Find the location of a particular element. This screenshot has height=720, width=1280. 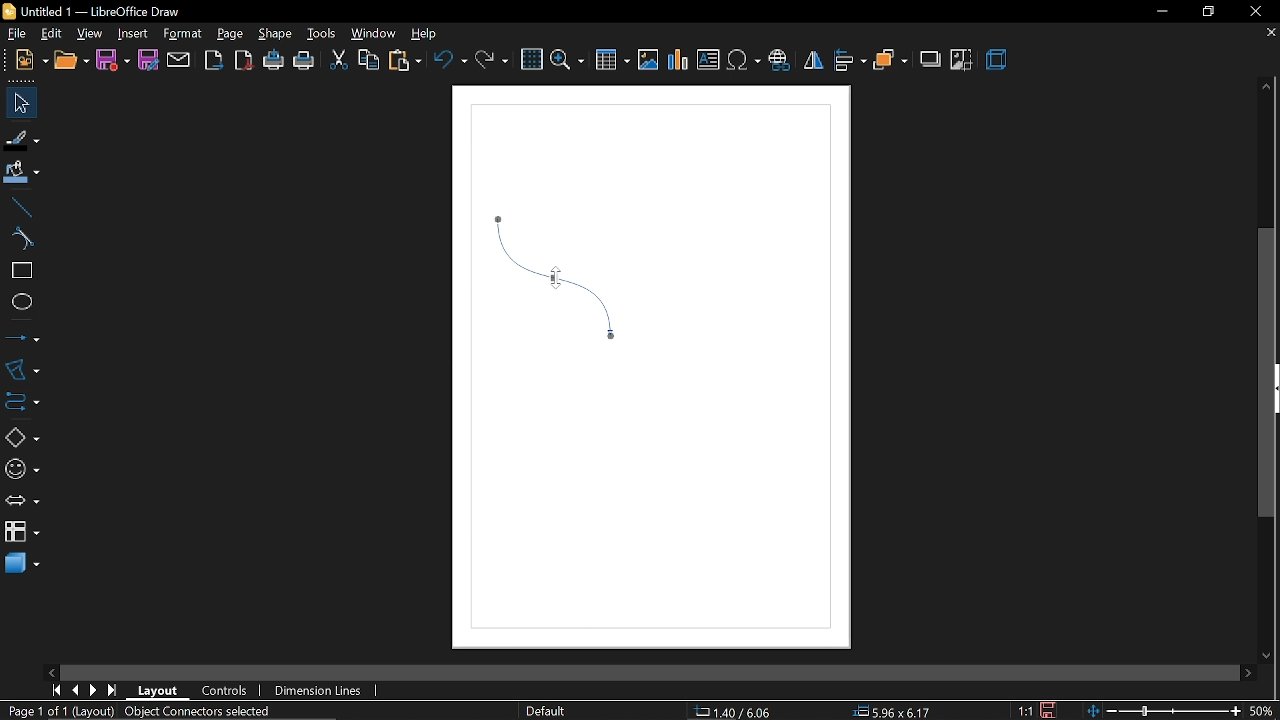

3d shapes is located at coordinates (21, 566).